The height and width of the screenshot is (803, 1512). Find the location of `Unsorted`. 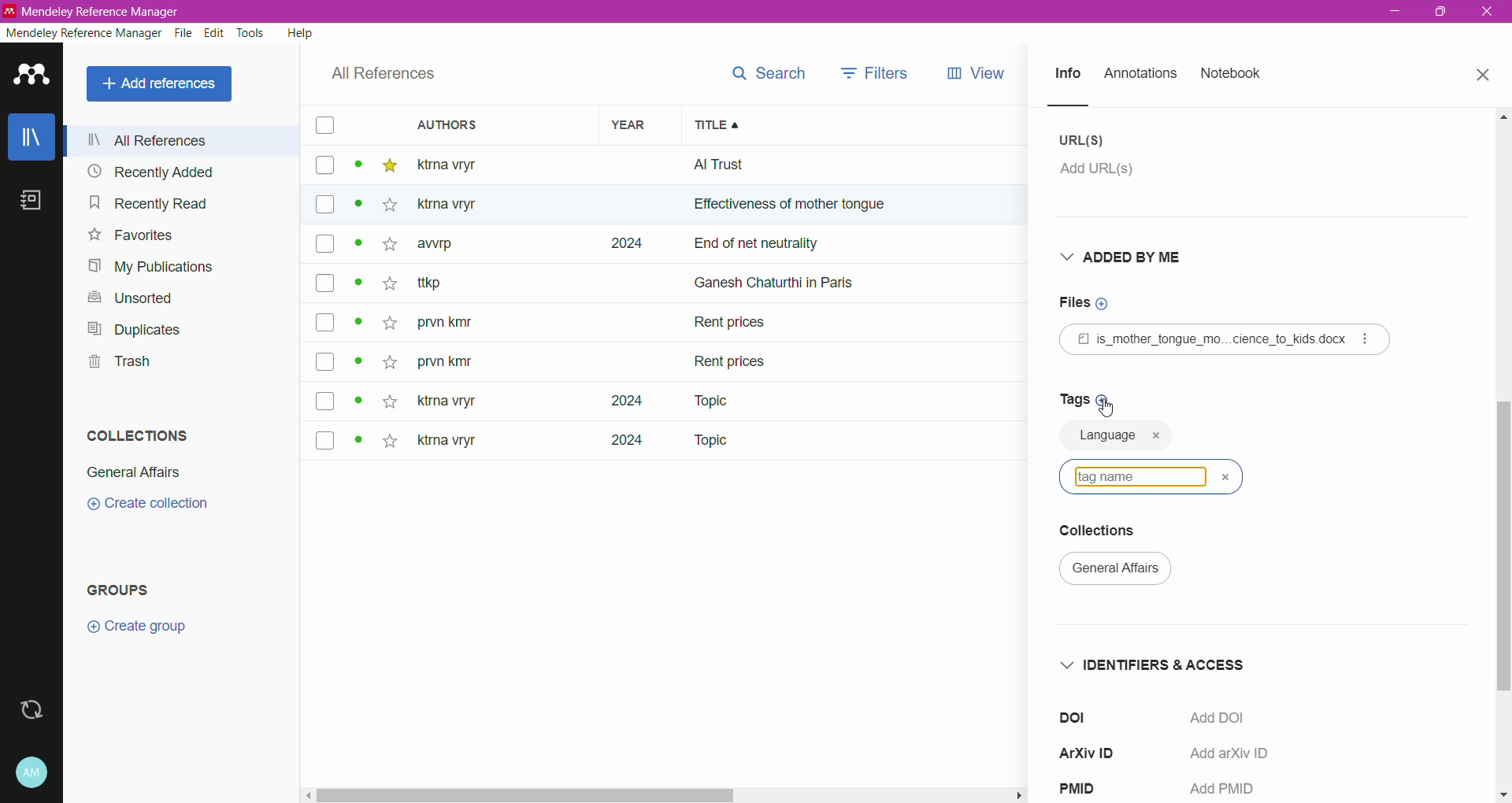

Unsorted is located at coordinates (136, 299).